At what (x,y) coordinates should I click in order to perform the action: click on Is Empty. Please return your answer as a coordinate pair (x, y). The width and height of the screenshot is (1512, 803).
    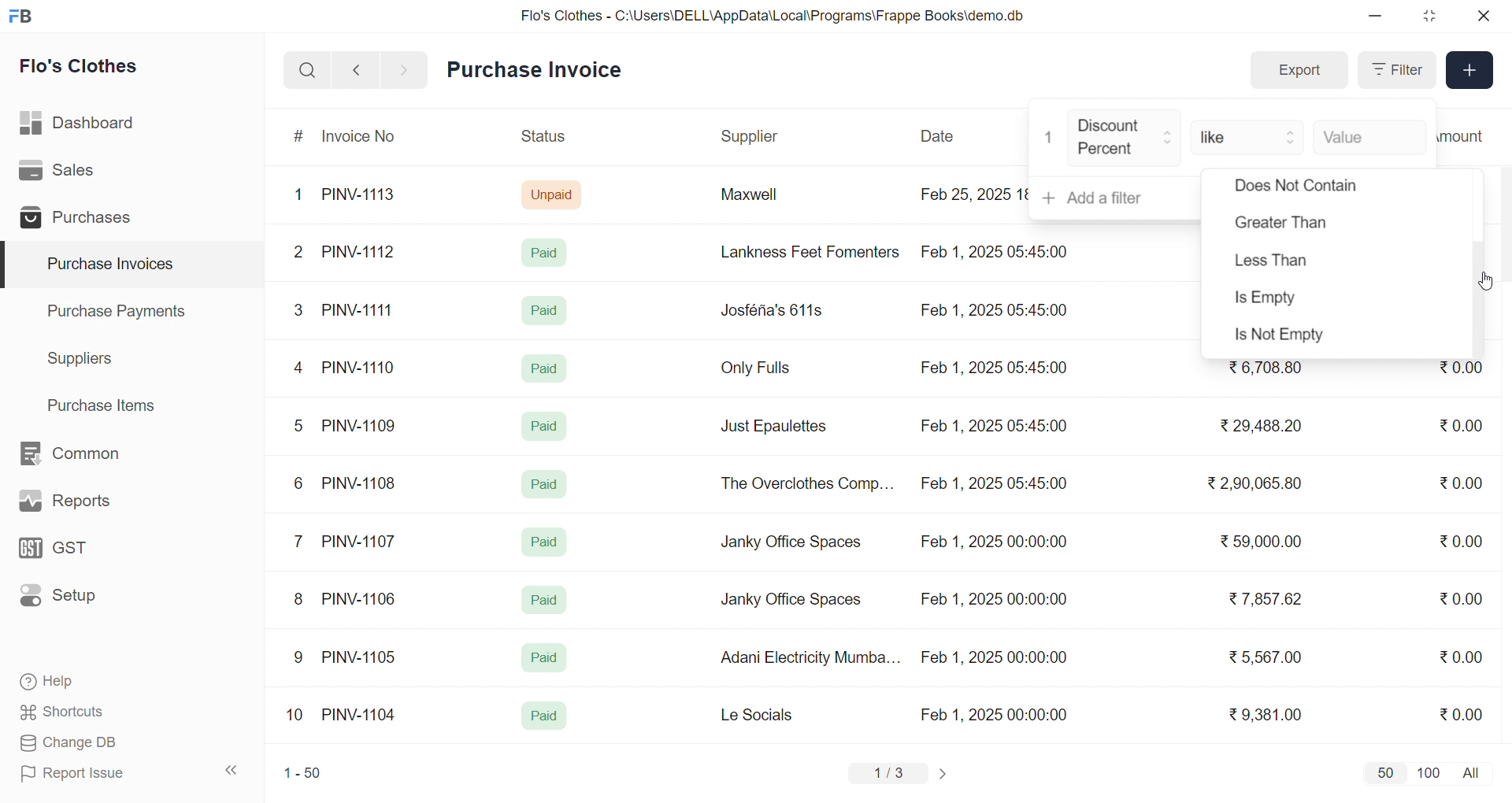
    Looking at the image, I should click on (1295, 302).